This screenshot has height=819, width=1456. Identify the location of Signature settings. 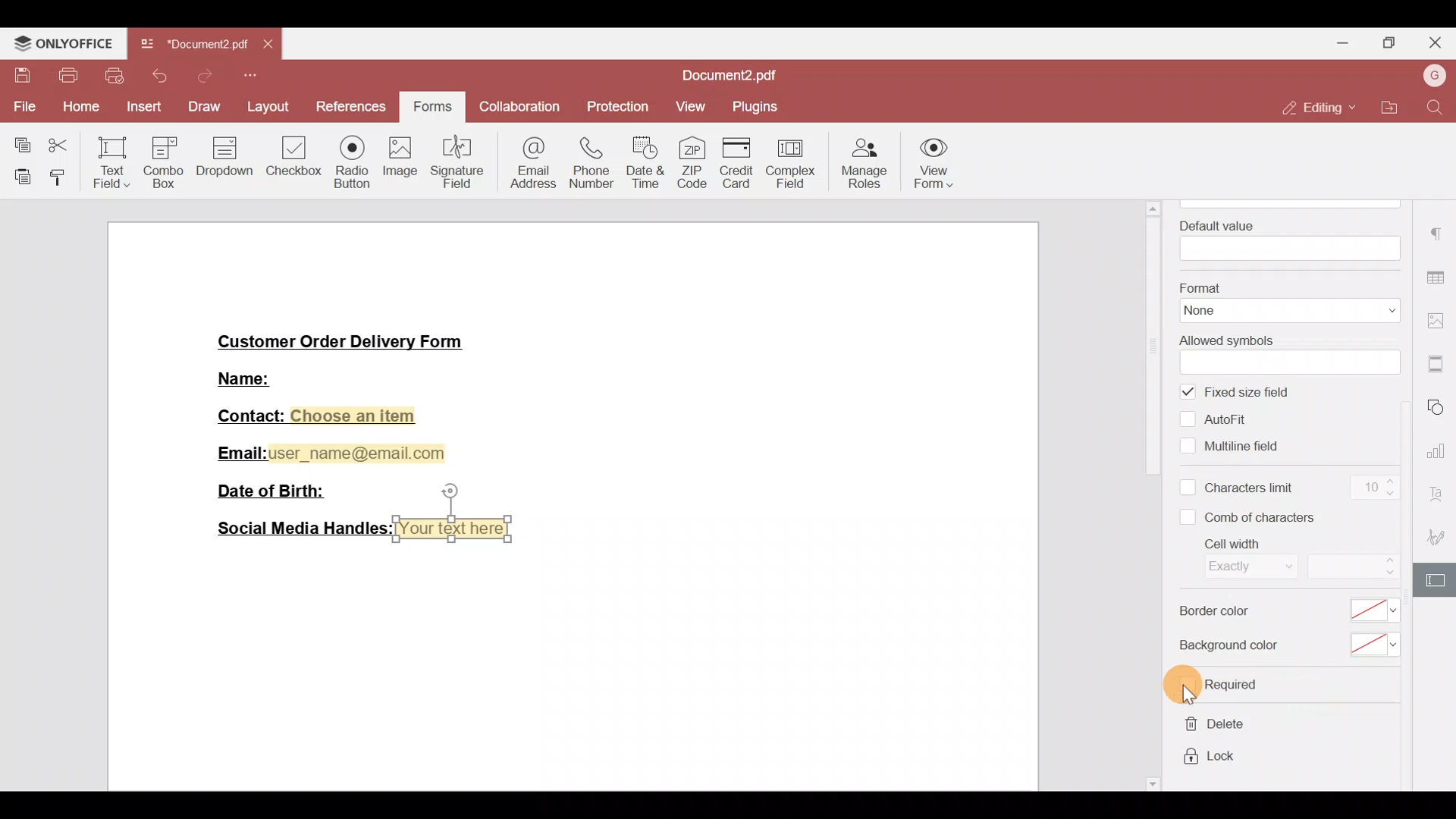
(1441, 536).